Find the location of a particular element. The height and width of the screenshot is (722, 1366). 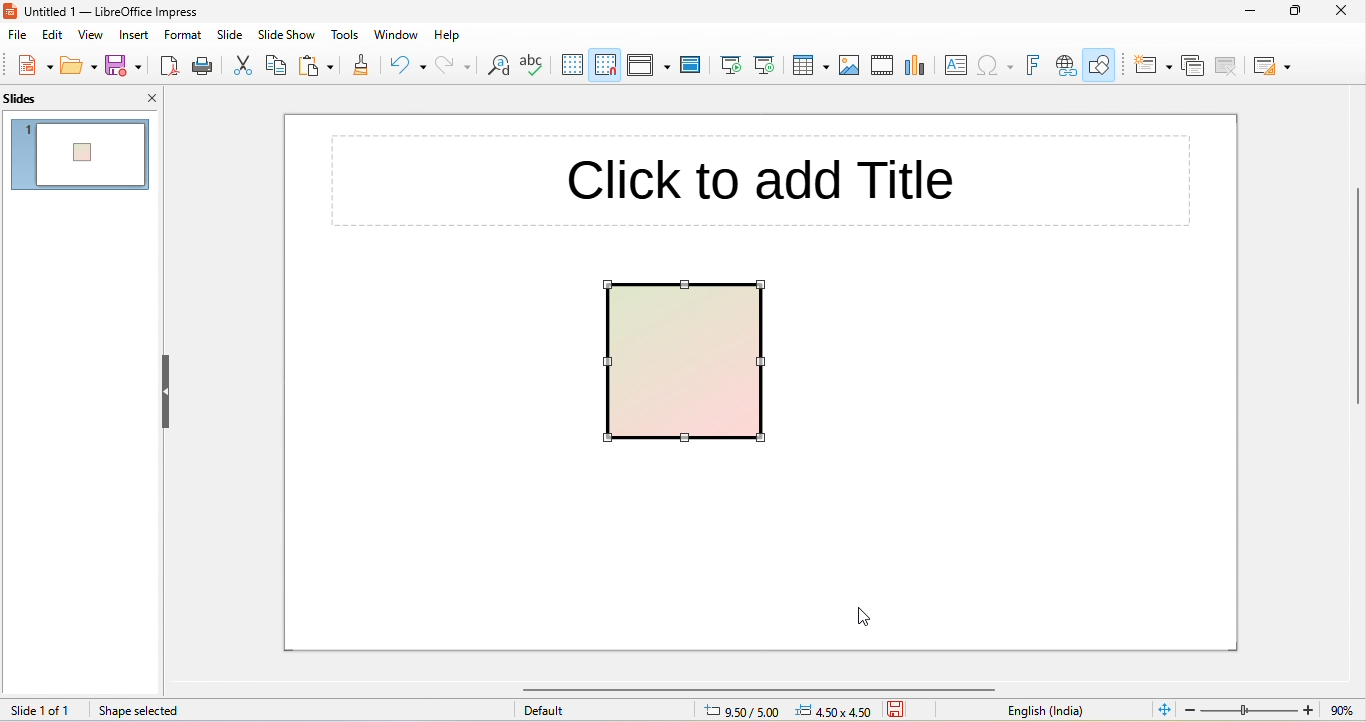

default is located at coordinates (553, 710).